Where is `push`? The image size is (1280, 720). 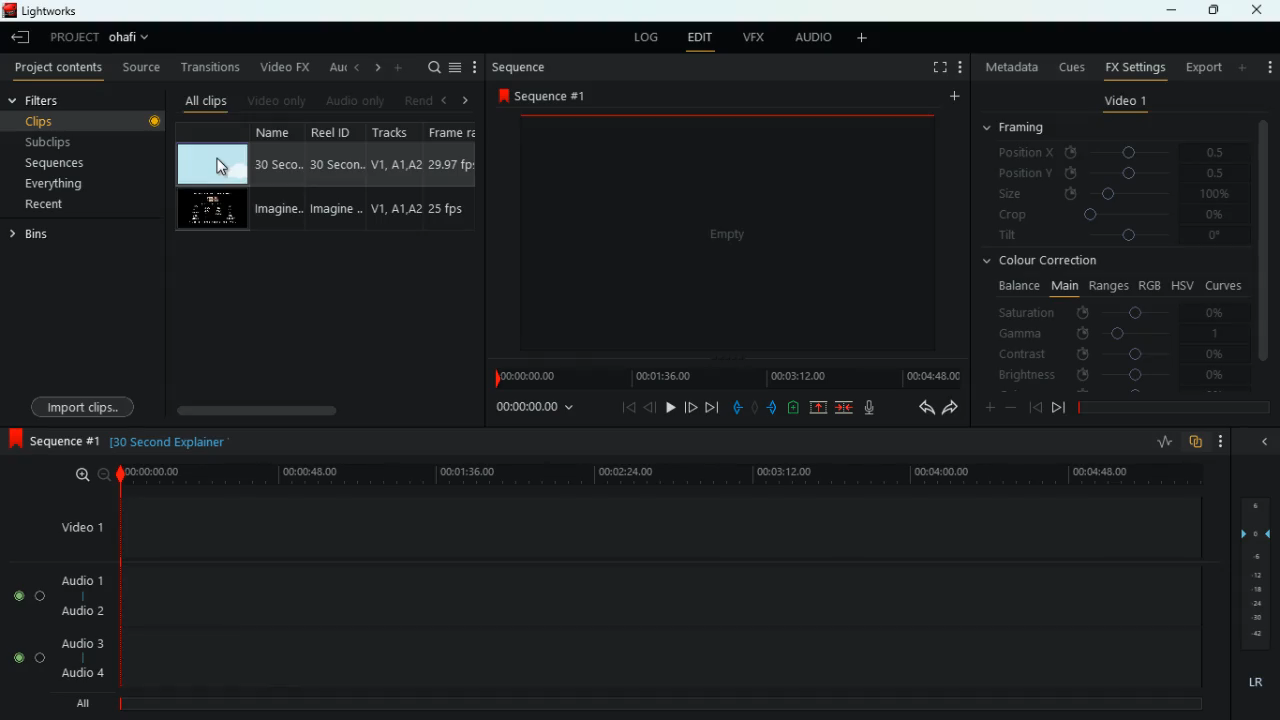
push is located at coordinates (773, 408).